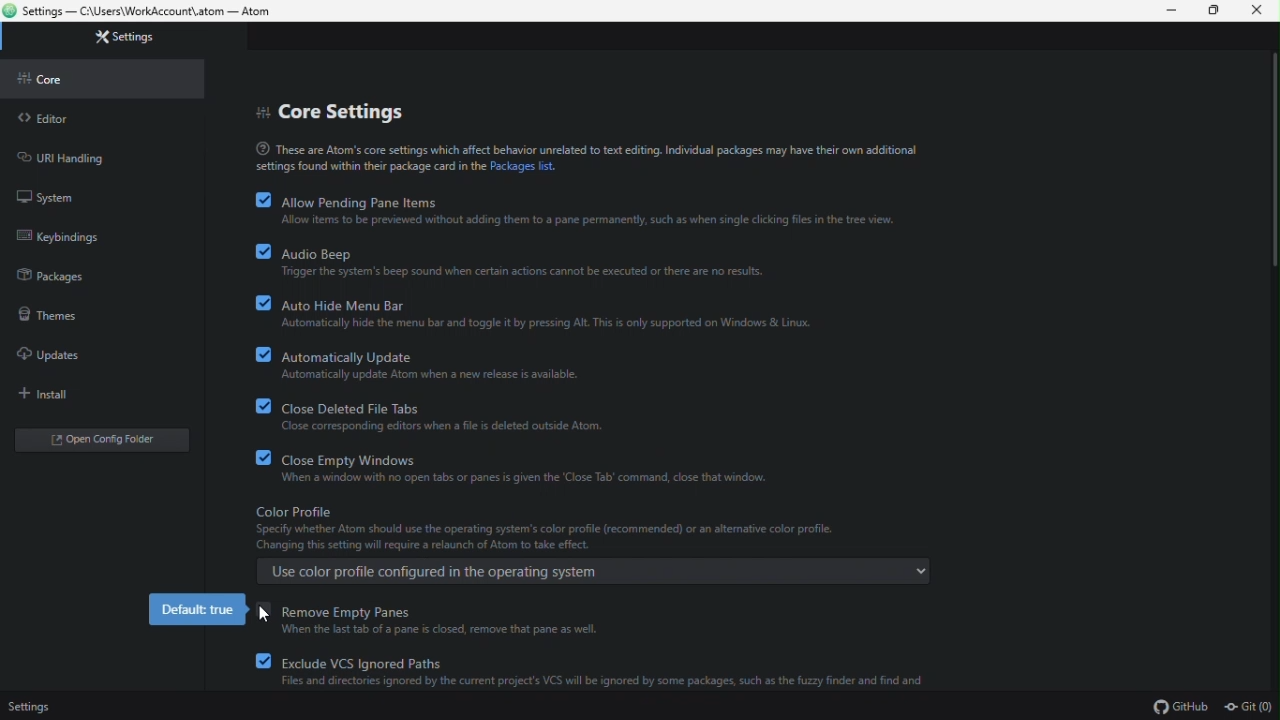 Image resolution: width=1280 pixels, height=720 pixels. What do you see at coordinates (592, 211) in the screenshot?
I see `allow pending pane items` at bounding box center [592, 211].